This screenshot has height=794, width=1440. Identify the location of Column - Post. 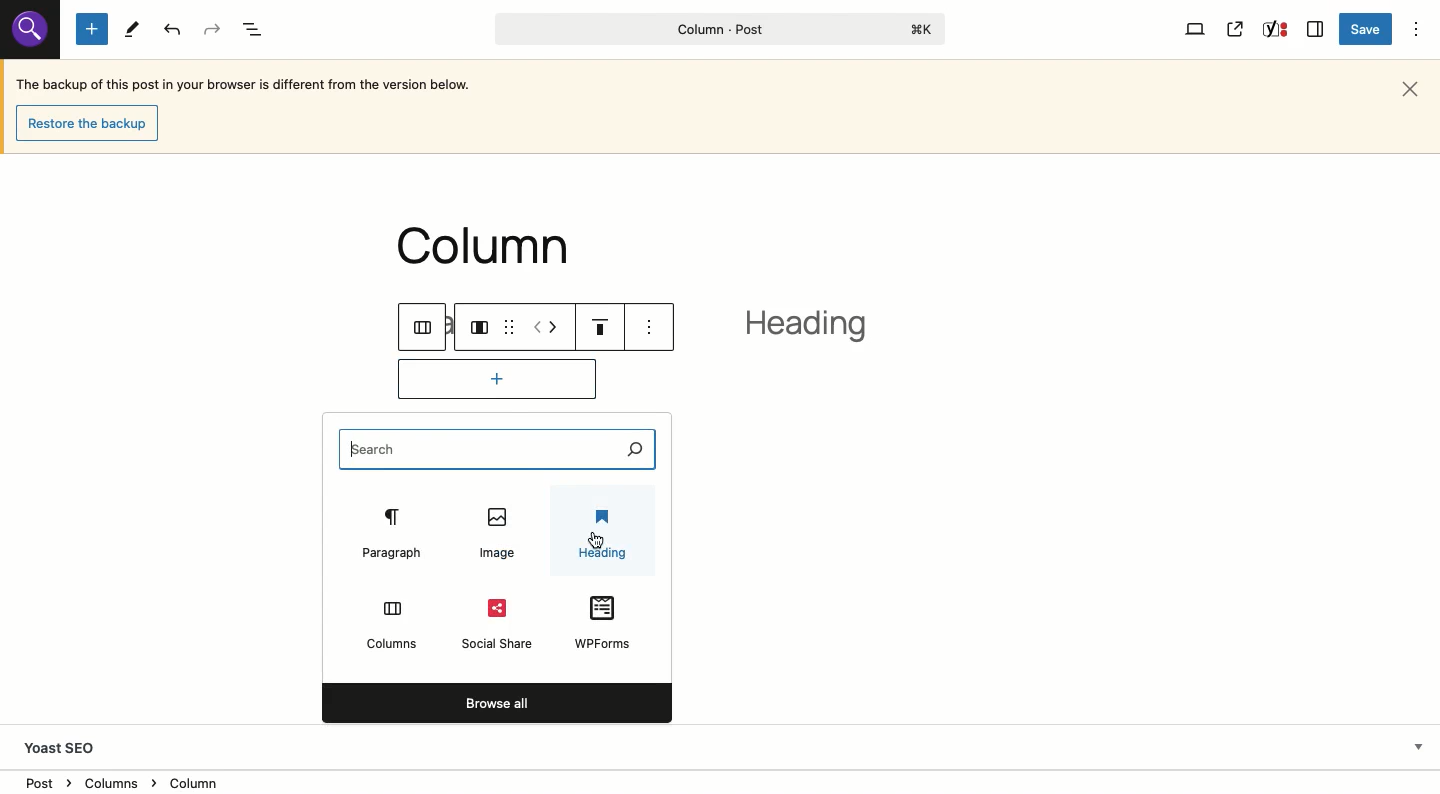
(715, 29).